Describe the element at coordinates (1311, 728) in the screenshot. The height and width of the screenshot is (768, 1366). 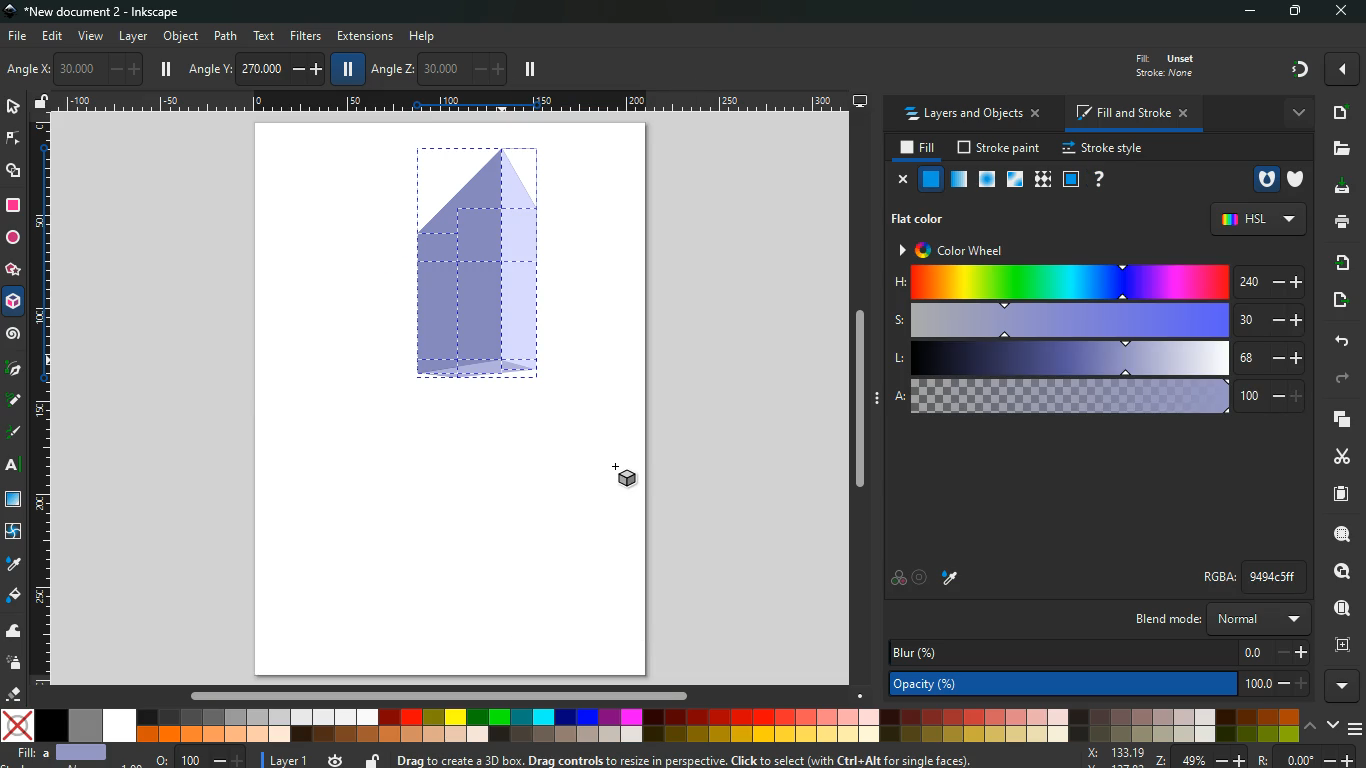
I see `up` at that location.